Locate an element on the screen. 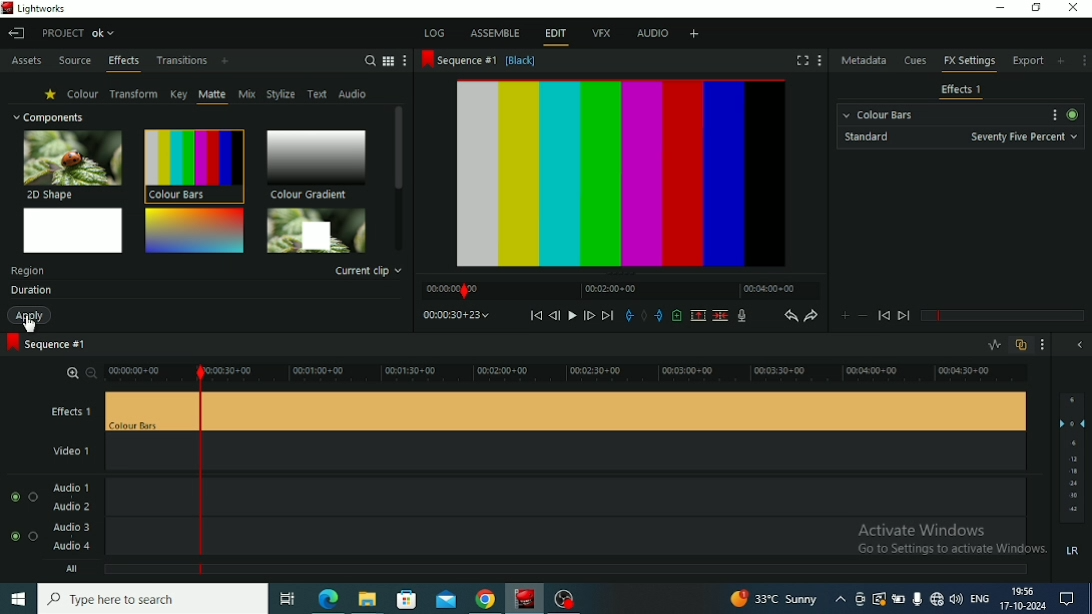 The image size is (1092, 614). Add a cue at the current position is located at coordinates (677, 315).